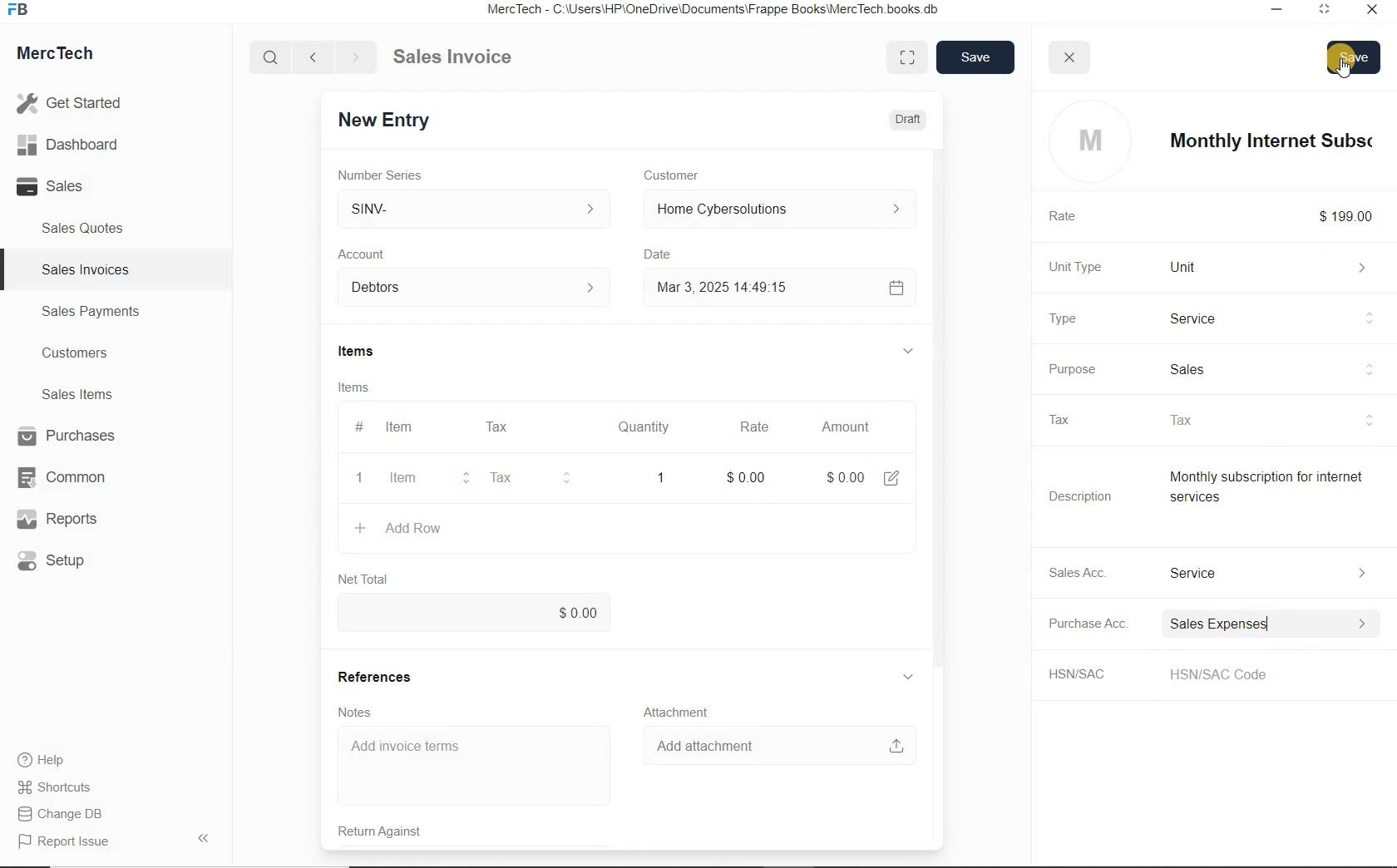  Describe the element at coordinates (518, 478) in the screenshot. I see `Tax` at that location.